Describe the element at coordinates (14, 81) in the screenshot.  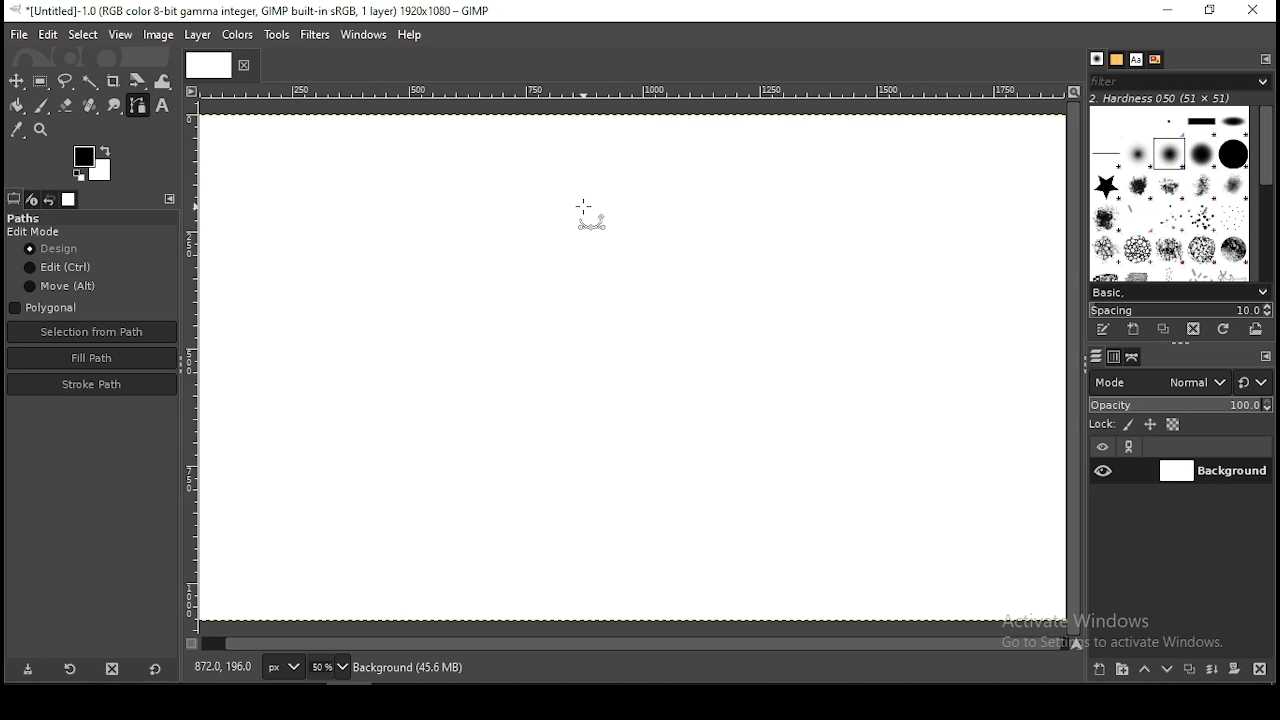
I see `selection tool` at that location.